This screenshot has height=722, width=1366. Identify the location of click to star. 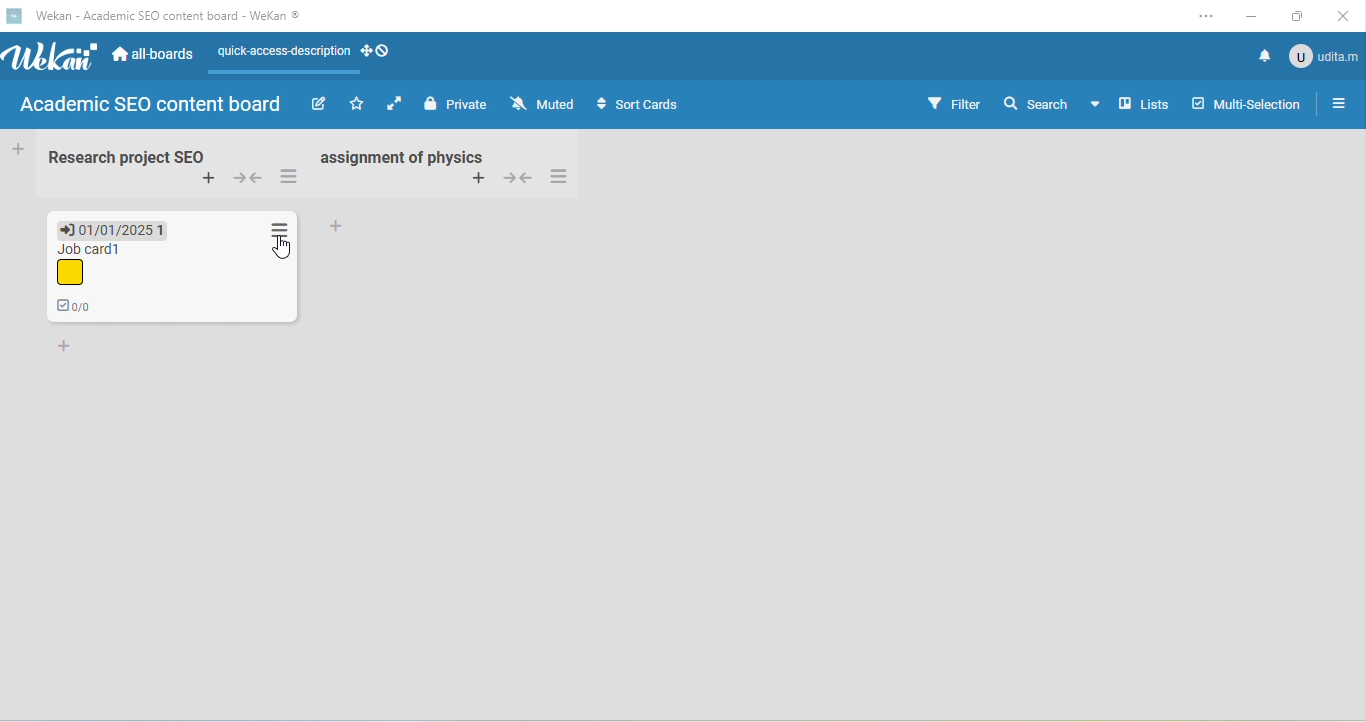
(357, 105).